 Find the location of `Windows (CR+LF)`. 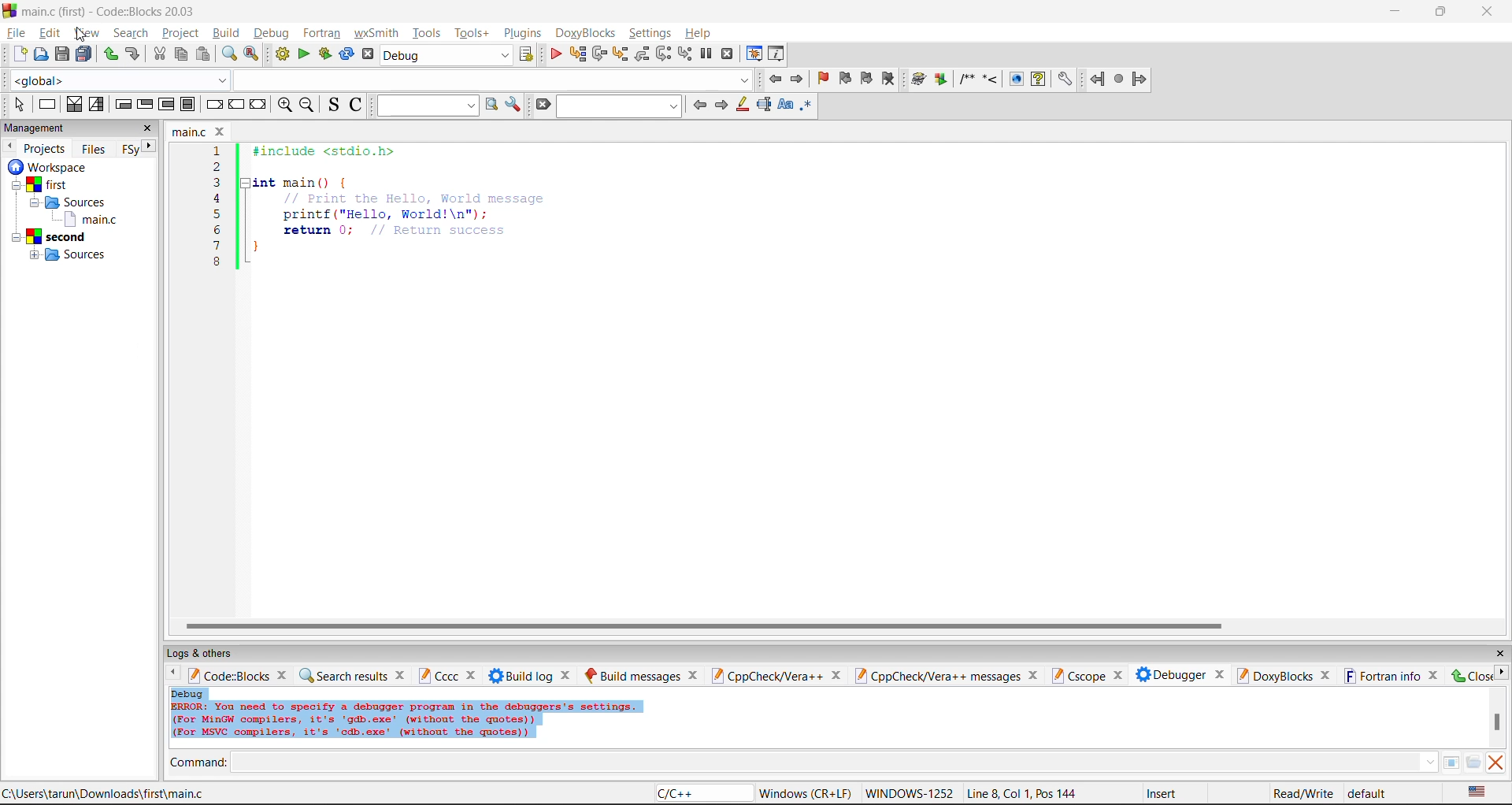

Windows (CR+LF) is located at coordinates (805, 792).